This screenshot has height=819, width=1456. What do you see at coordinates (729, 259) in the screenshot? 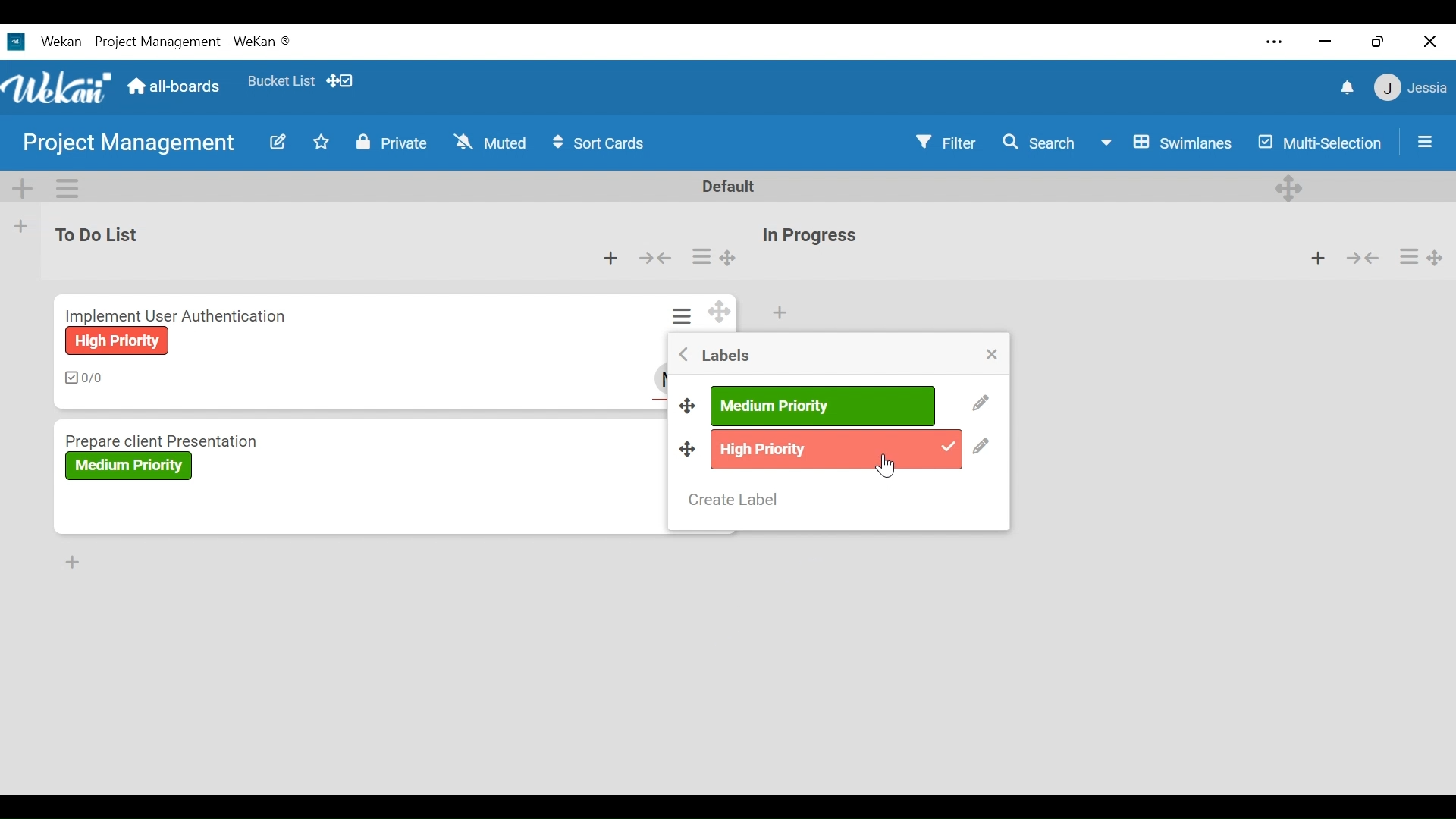
I see `Desktop drag handle` at bounding box center [729, 259].